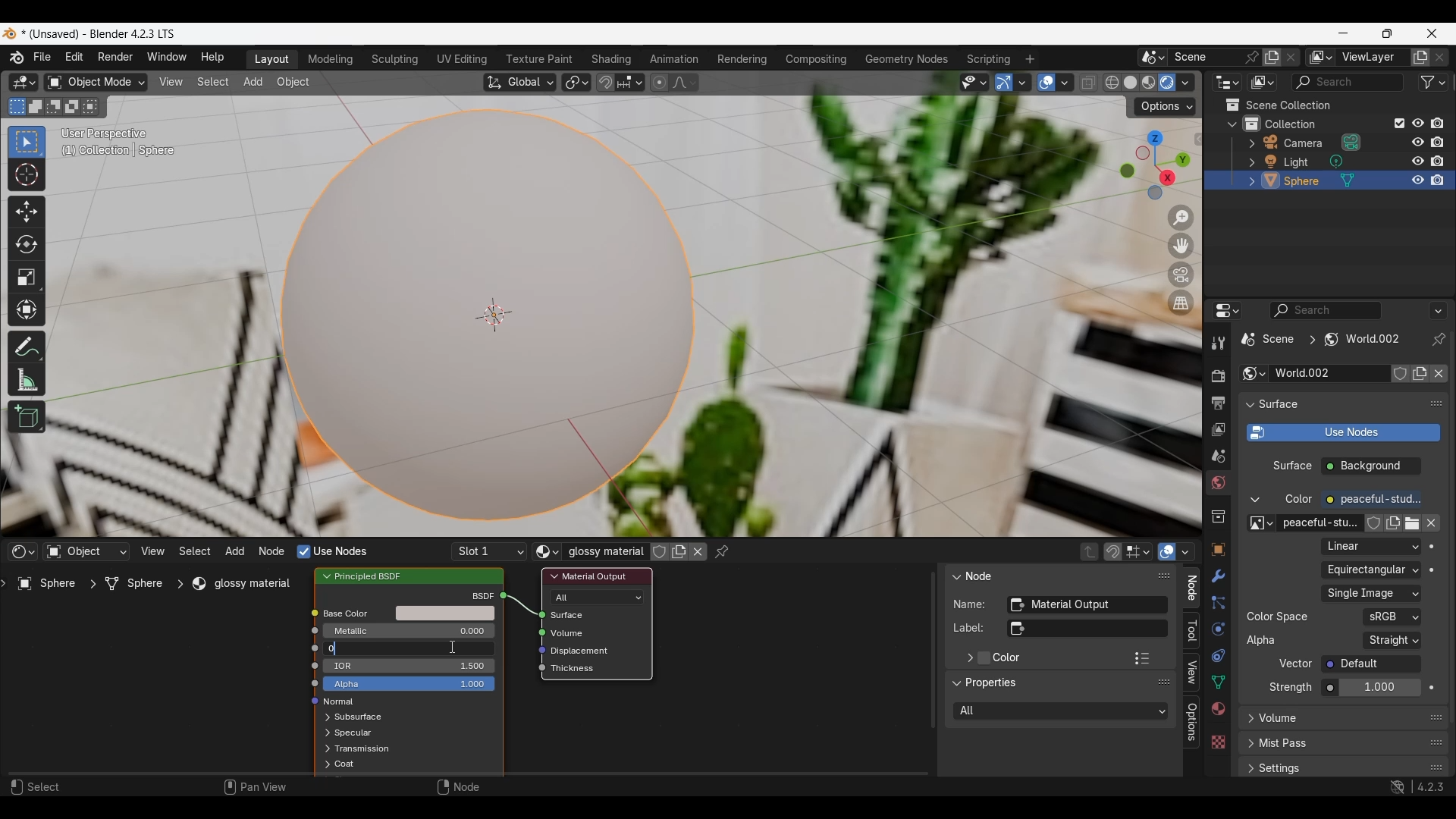  What do you see at coordinates (548, 552) in the screenshot?
I see `Browse material to be linked` at bounding box center [548, 552].